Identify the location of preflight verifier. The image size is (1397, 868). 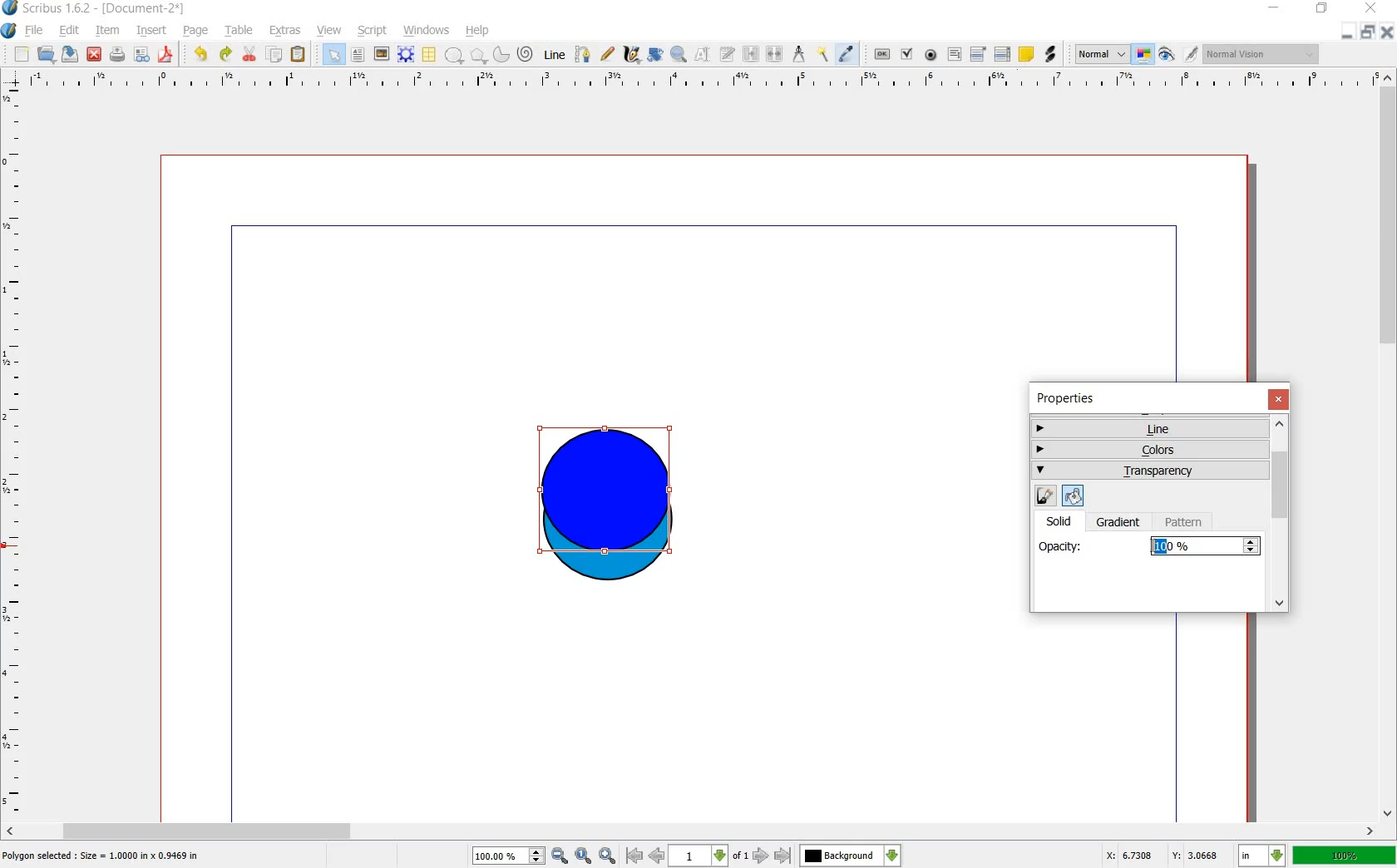
(142, 55).